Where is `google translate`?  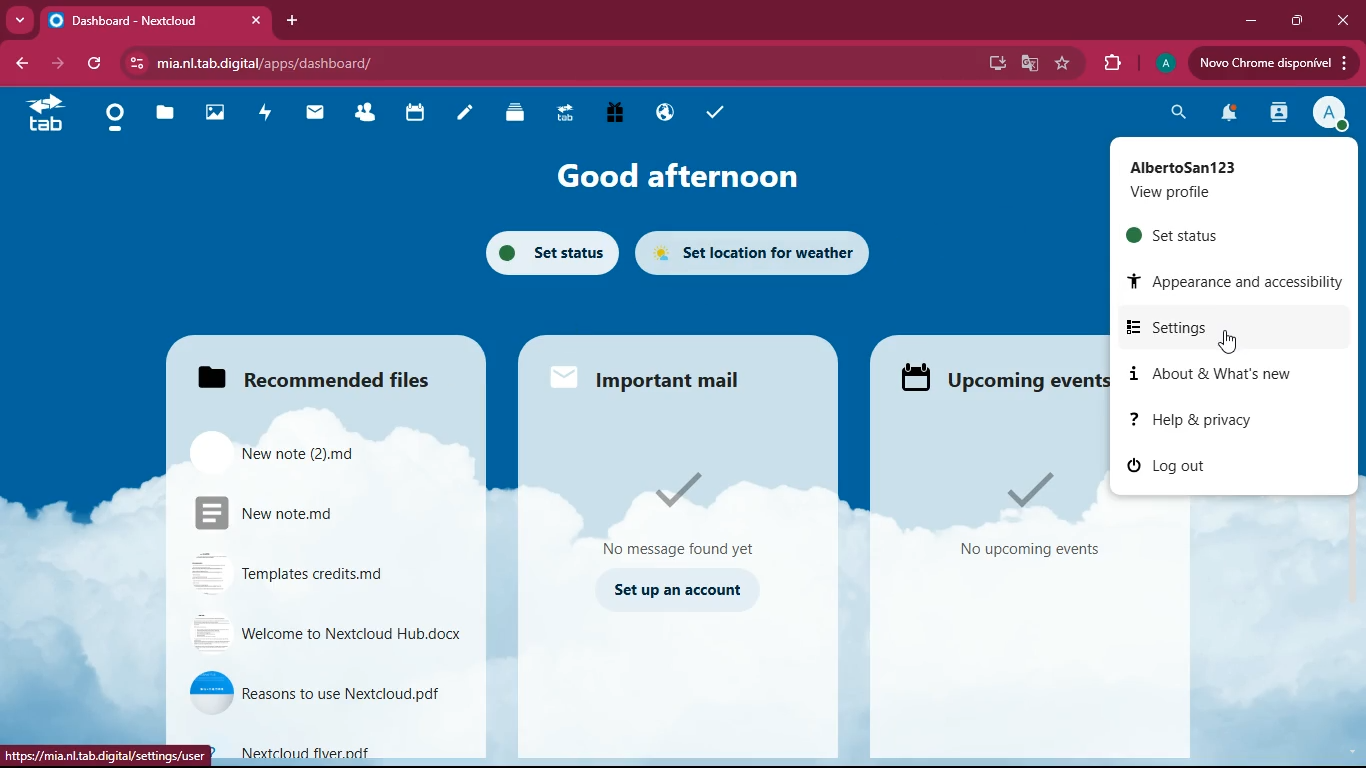
google translate is located at coordinates (1027, 64).